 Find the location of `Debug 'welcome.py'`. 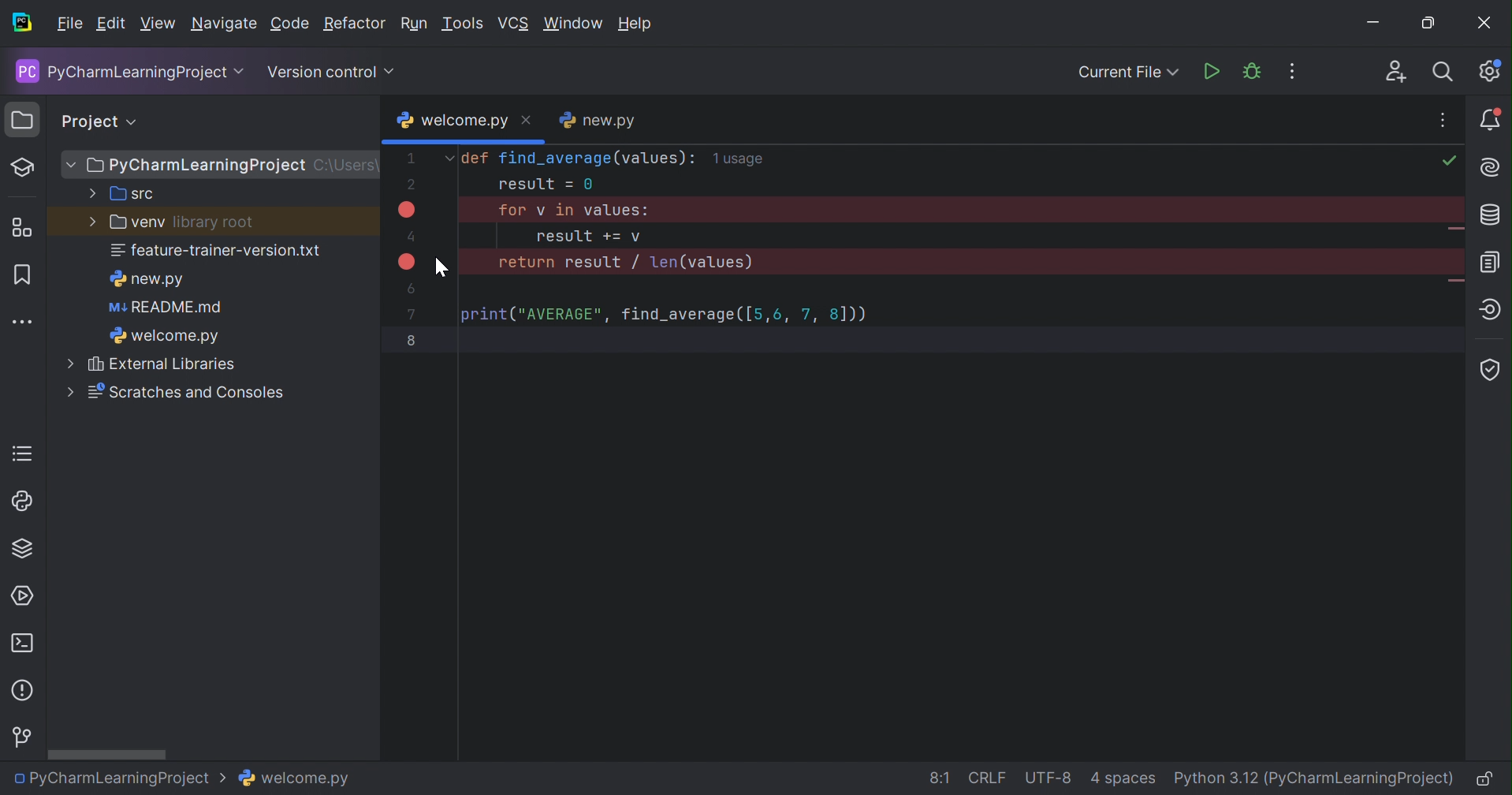

Debug 'welcome.py' is located at coordinates (1251, 72).